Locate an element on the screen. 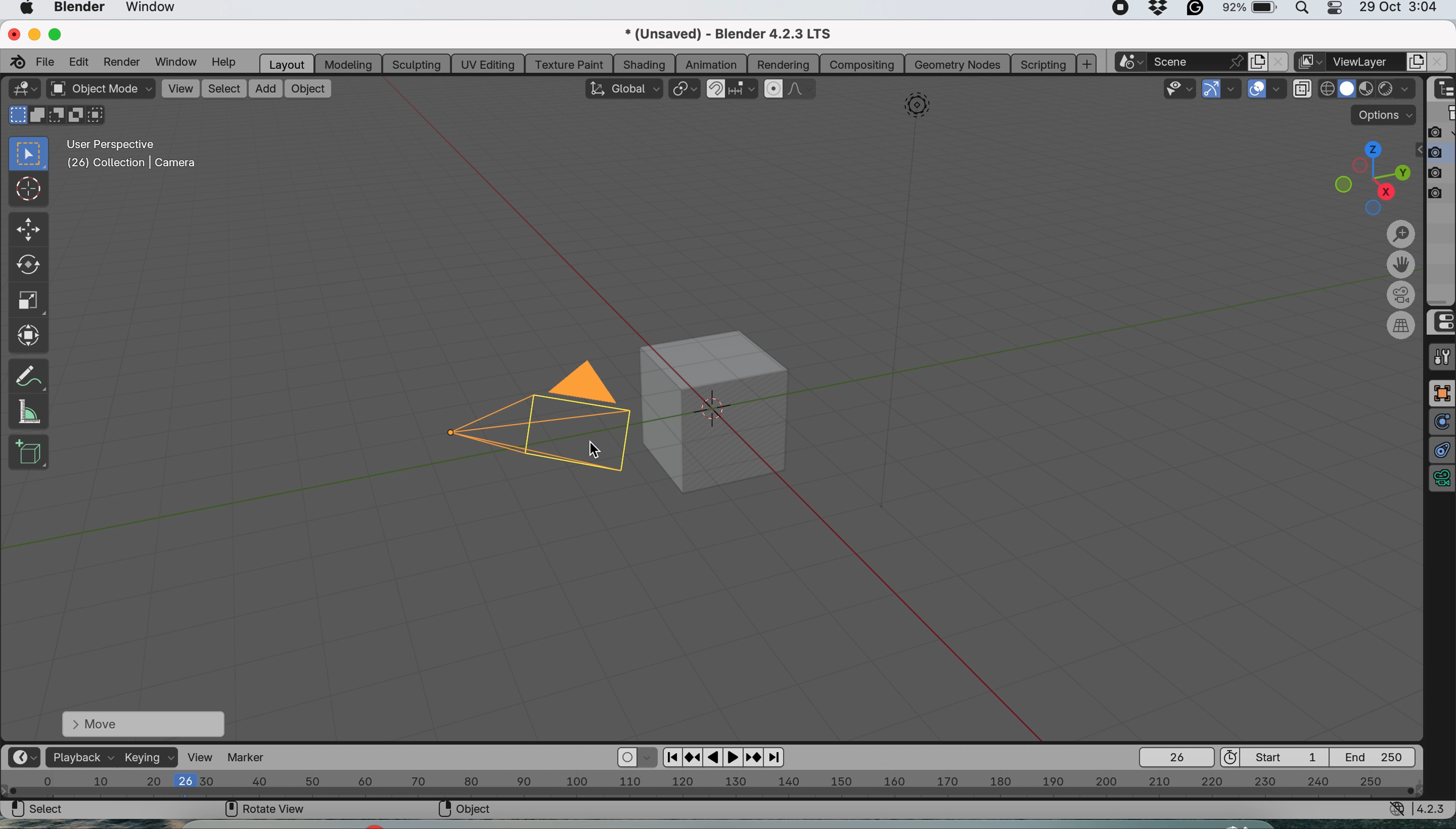 The width and height of the screenshot is (1456, 829). control center is located at coordinates (1339, 11).